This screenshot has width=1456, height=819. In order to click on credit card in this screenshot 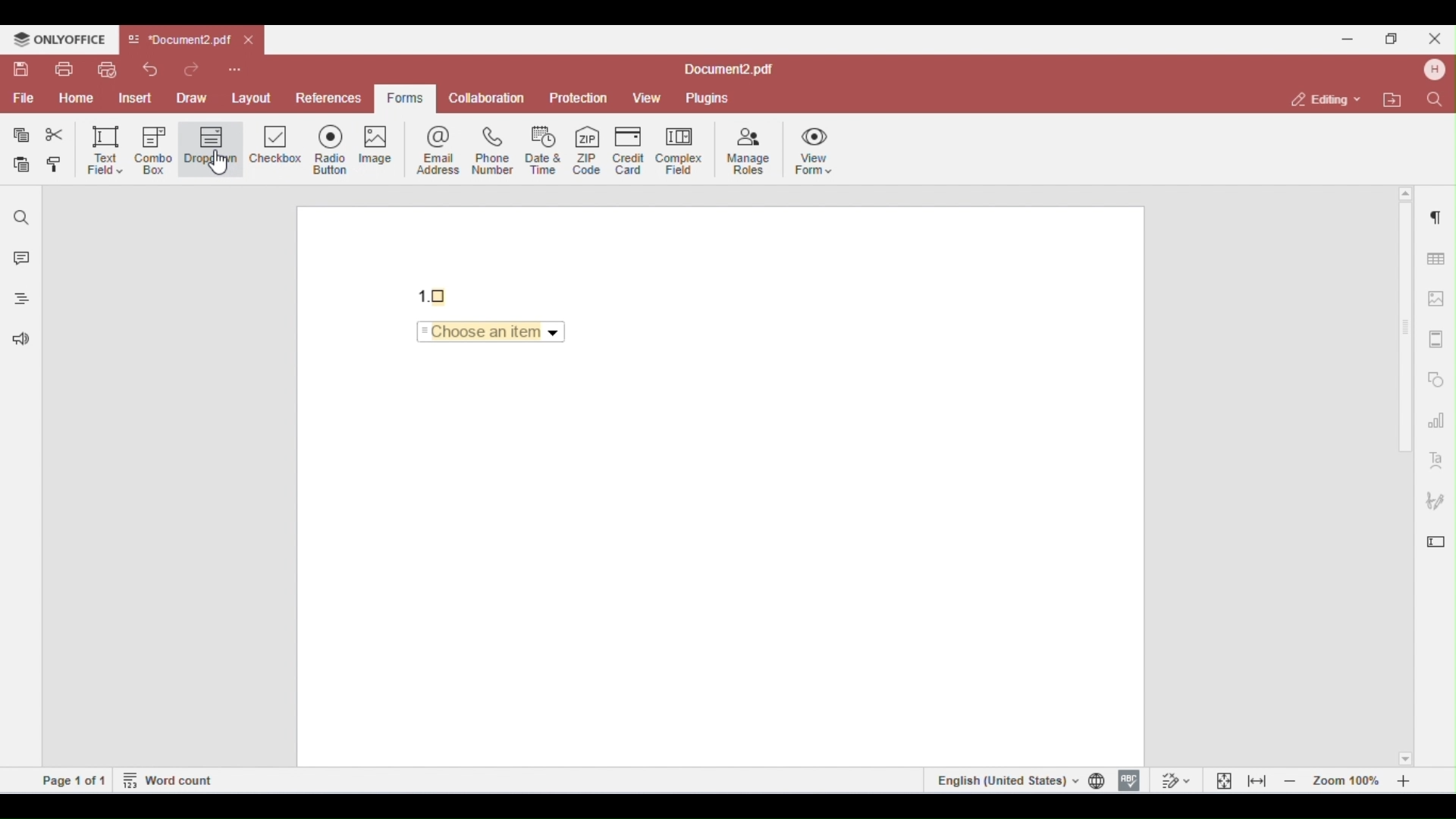, I will do `click(631, 149)`.